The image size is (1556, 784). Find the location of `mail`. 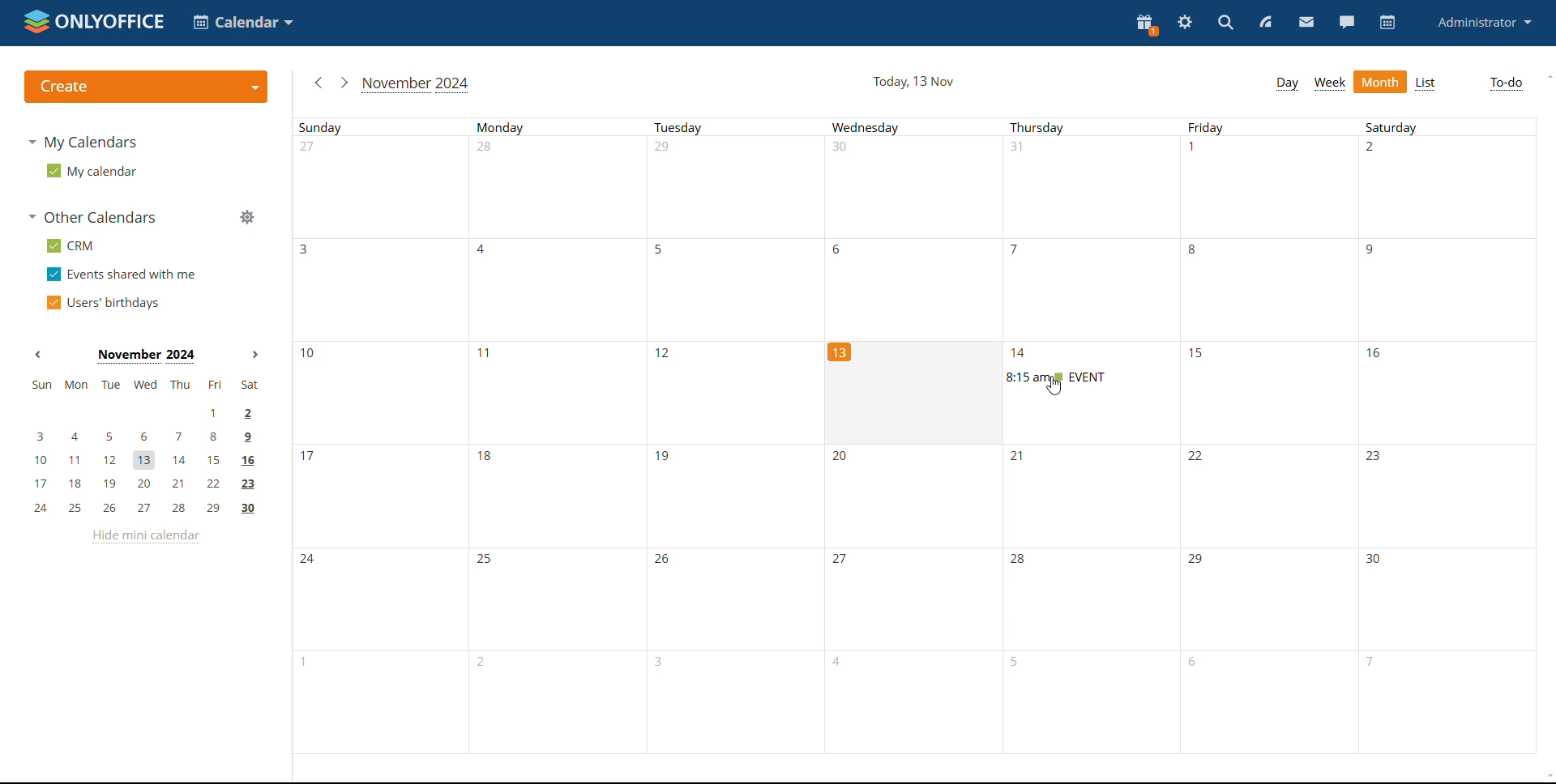

mail is located at coordinates (1305, 23).